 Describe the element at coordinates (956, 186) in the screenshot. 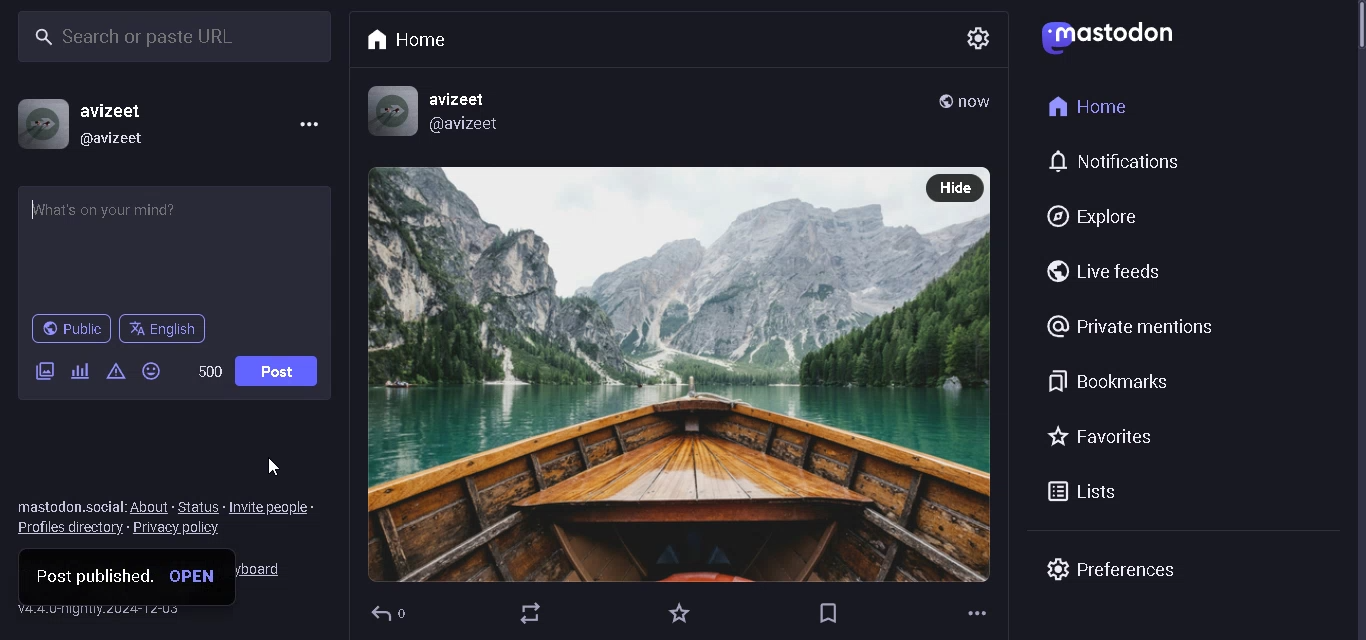

I see `hide` at that location.